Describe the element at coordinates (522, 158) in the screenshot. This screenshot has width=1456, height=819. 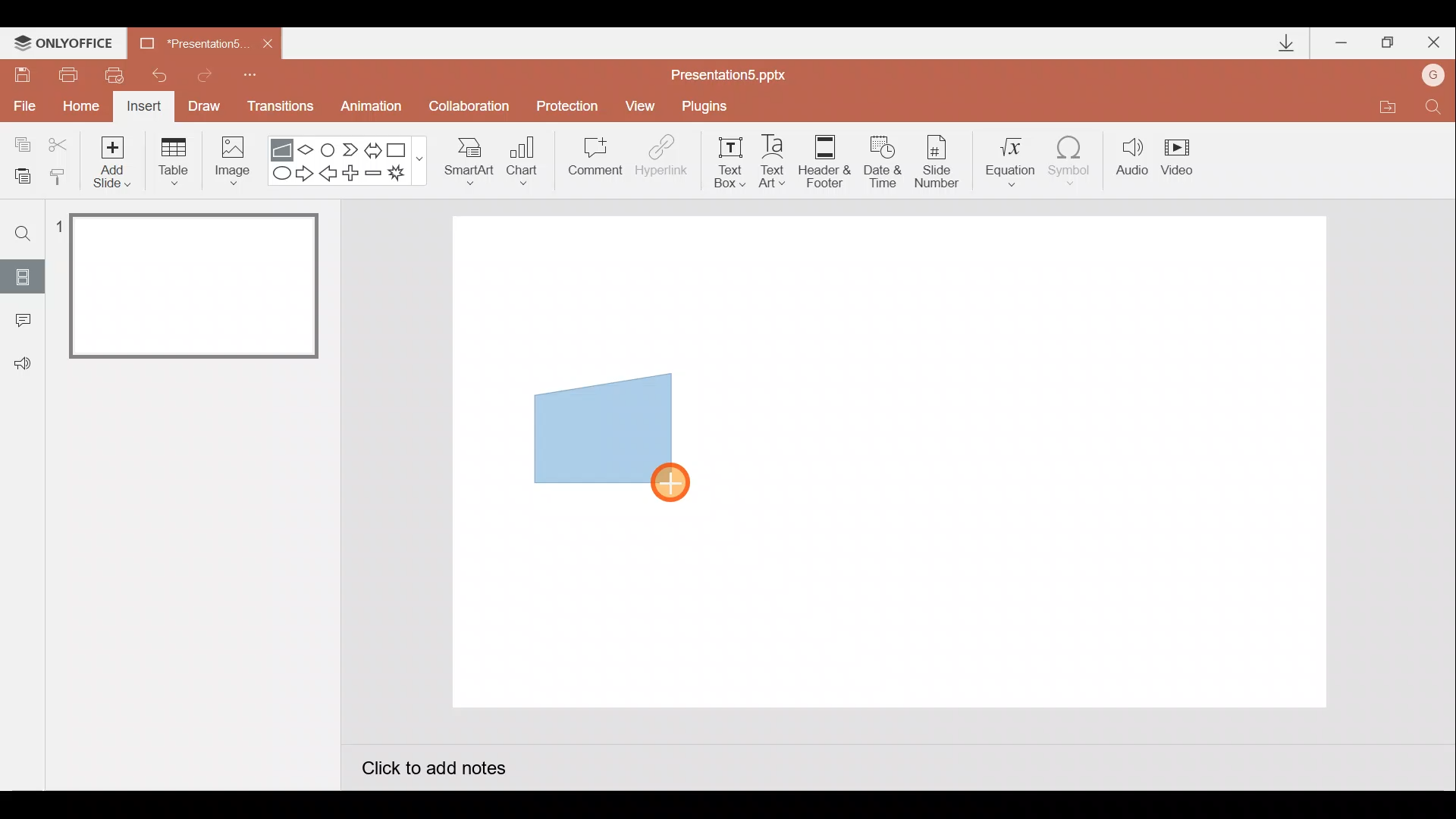
I see `Chart` at that location.